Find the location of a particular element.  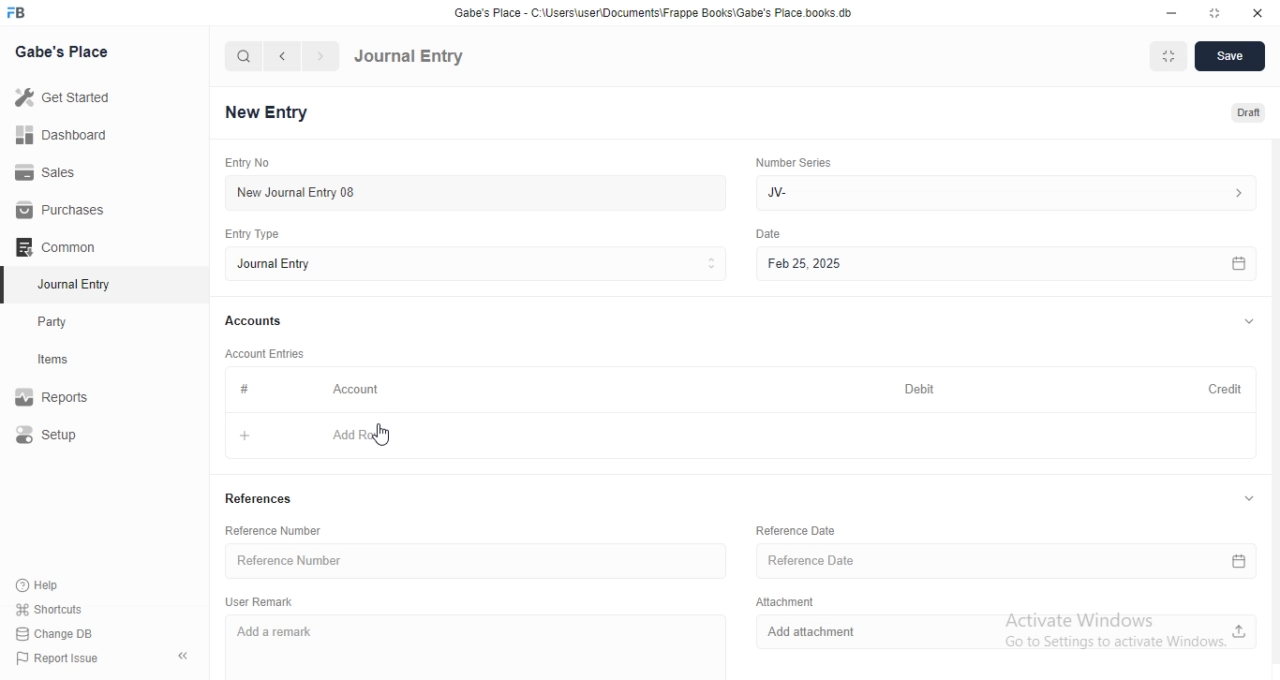

Save is located at coordinates (1231, 57).